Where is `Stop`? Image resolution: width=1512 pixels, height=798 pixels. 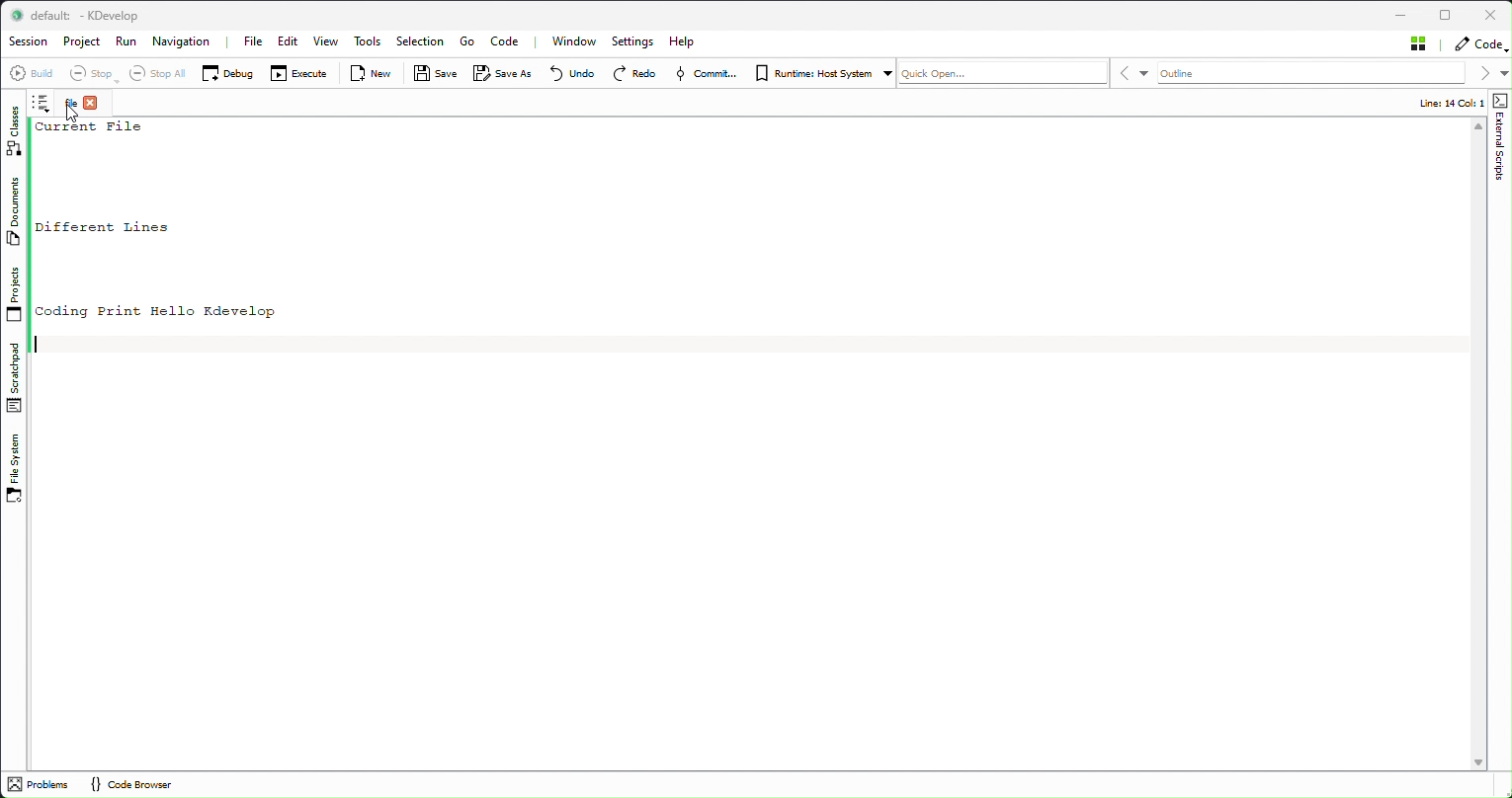
Stop is located at coordinates (92, 75).